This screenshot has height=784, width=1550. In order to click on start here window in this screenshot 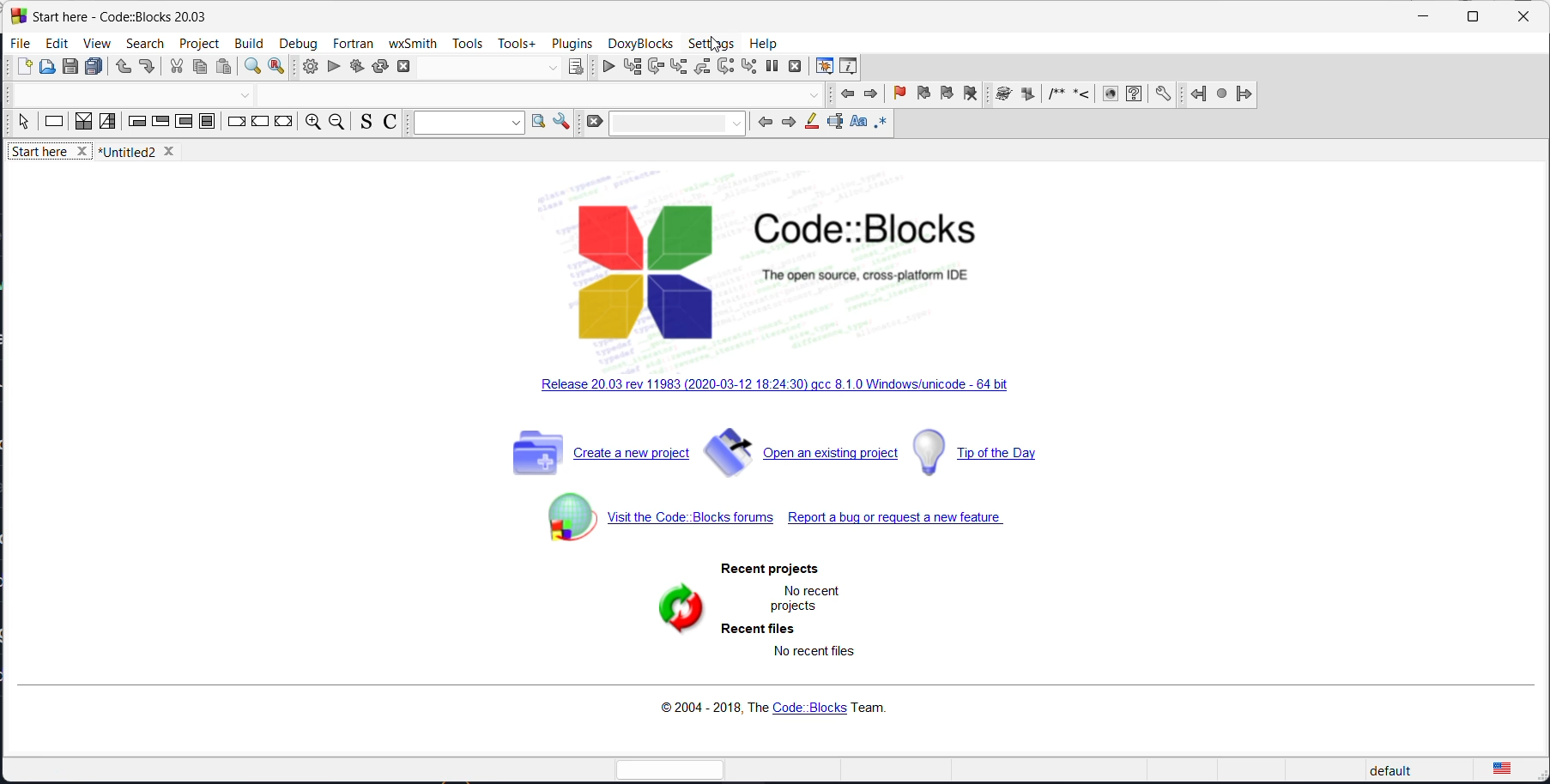, I will do `click(117, 15)`.